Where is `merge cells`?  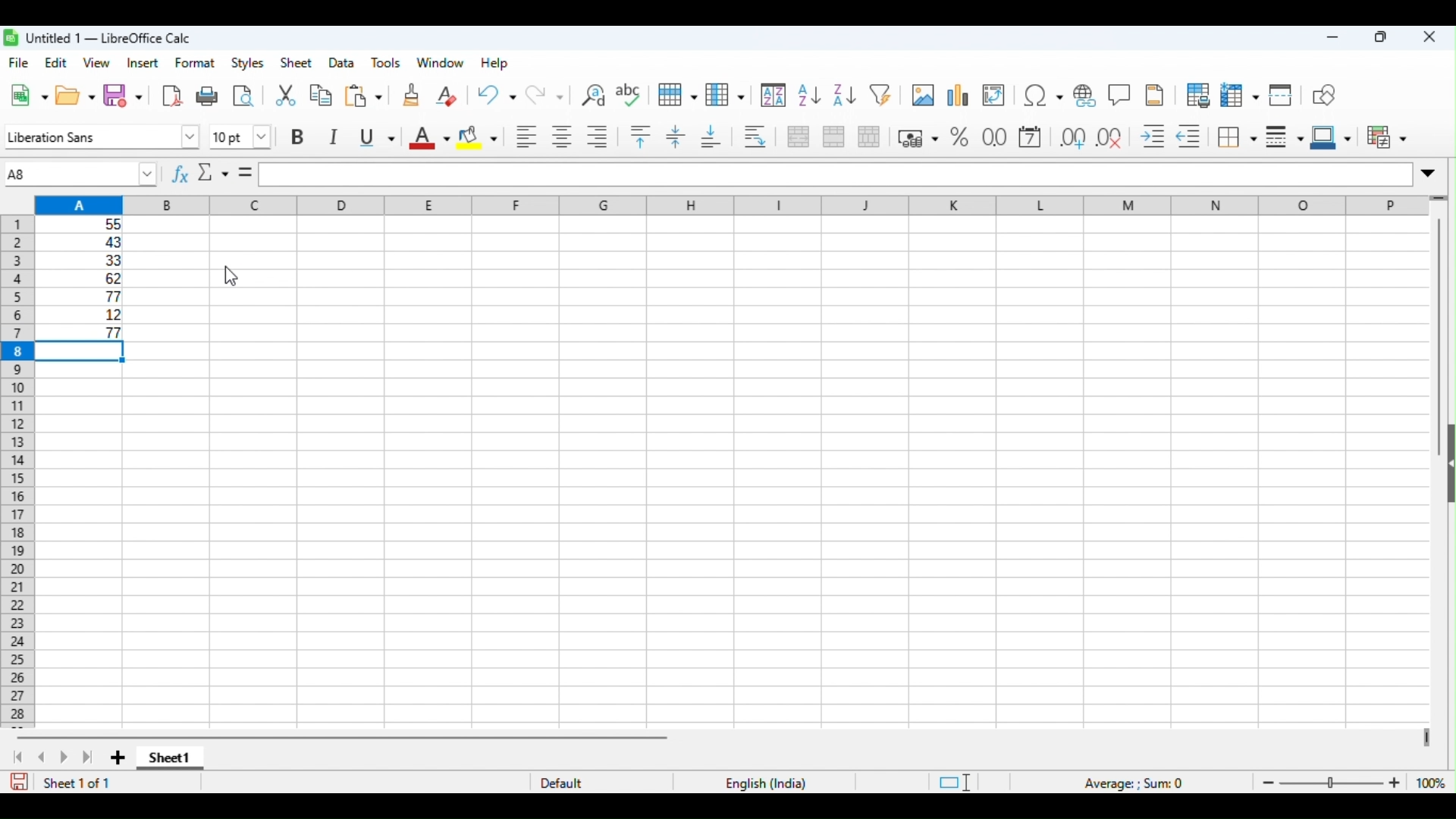 merge cells is located at coordinates (833, 137).